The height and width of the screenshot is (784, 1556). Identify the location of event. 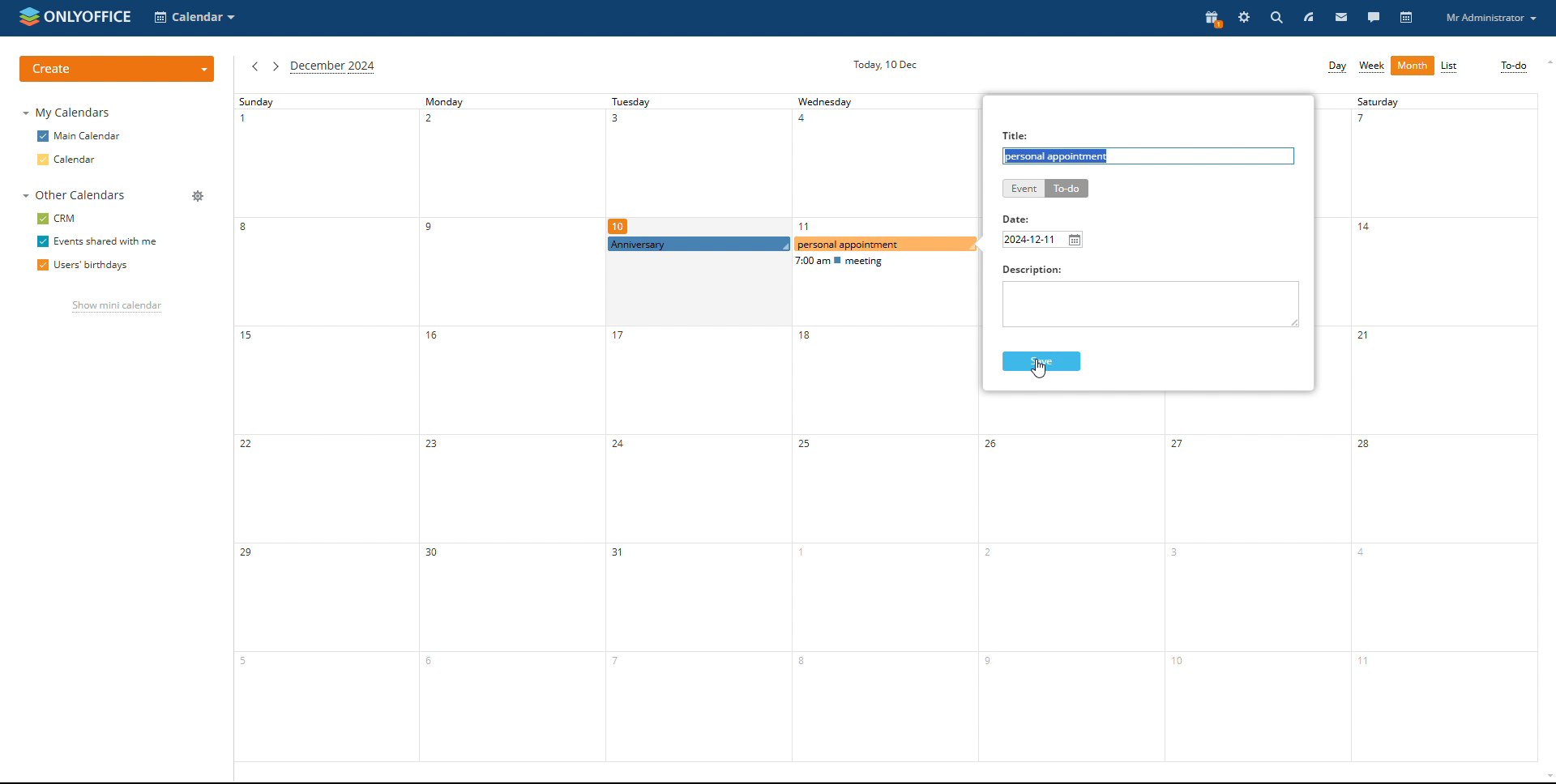
(1024, 189).